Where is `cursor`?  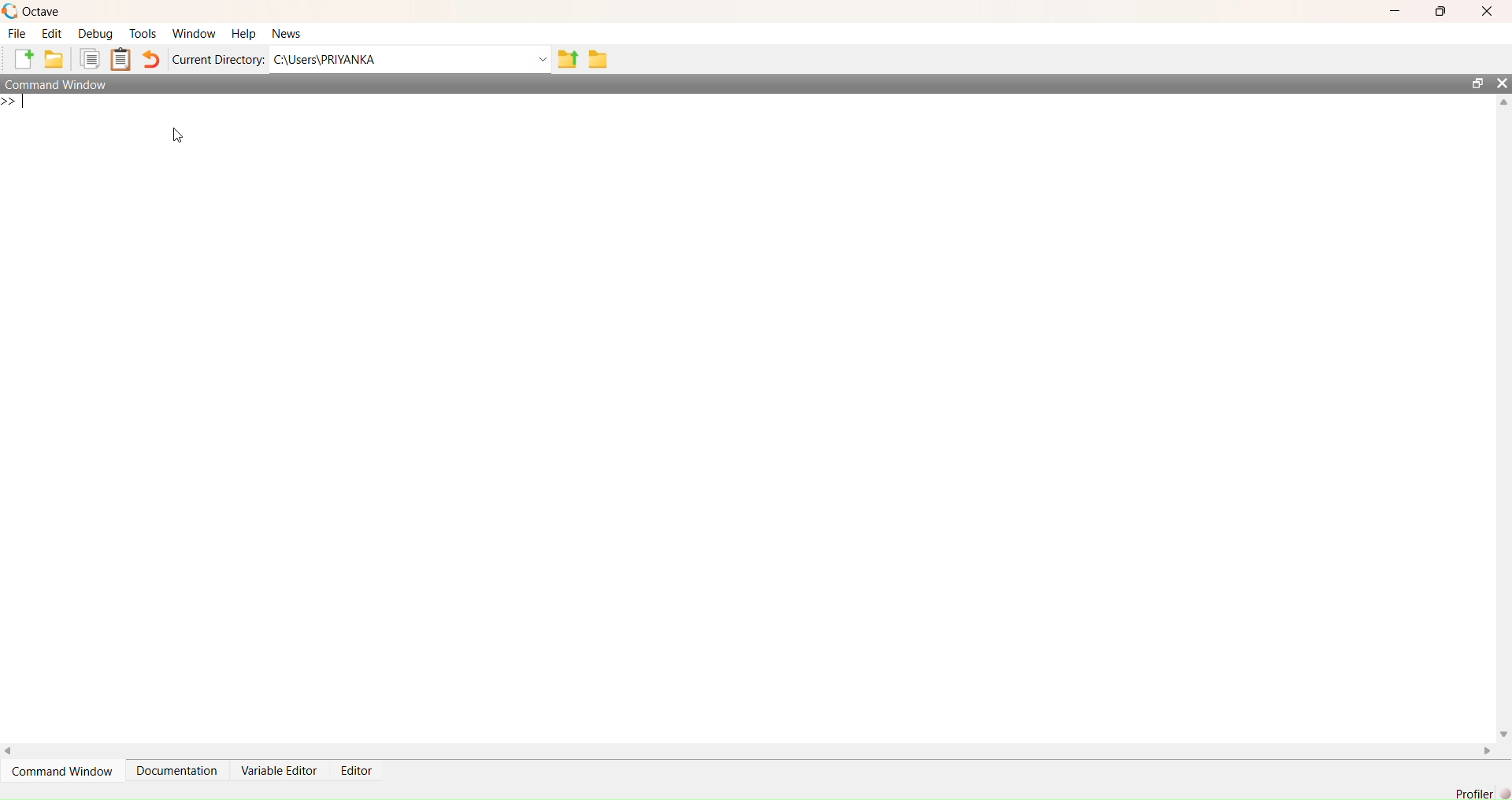
cursor is located at coordinates (182, 141).